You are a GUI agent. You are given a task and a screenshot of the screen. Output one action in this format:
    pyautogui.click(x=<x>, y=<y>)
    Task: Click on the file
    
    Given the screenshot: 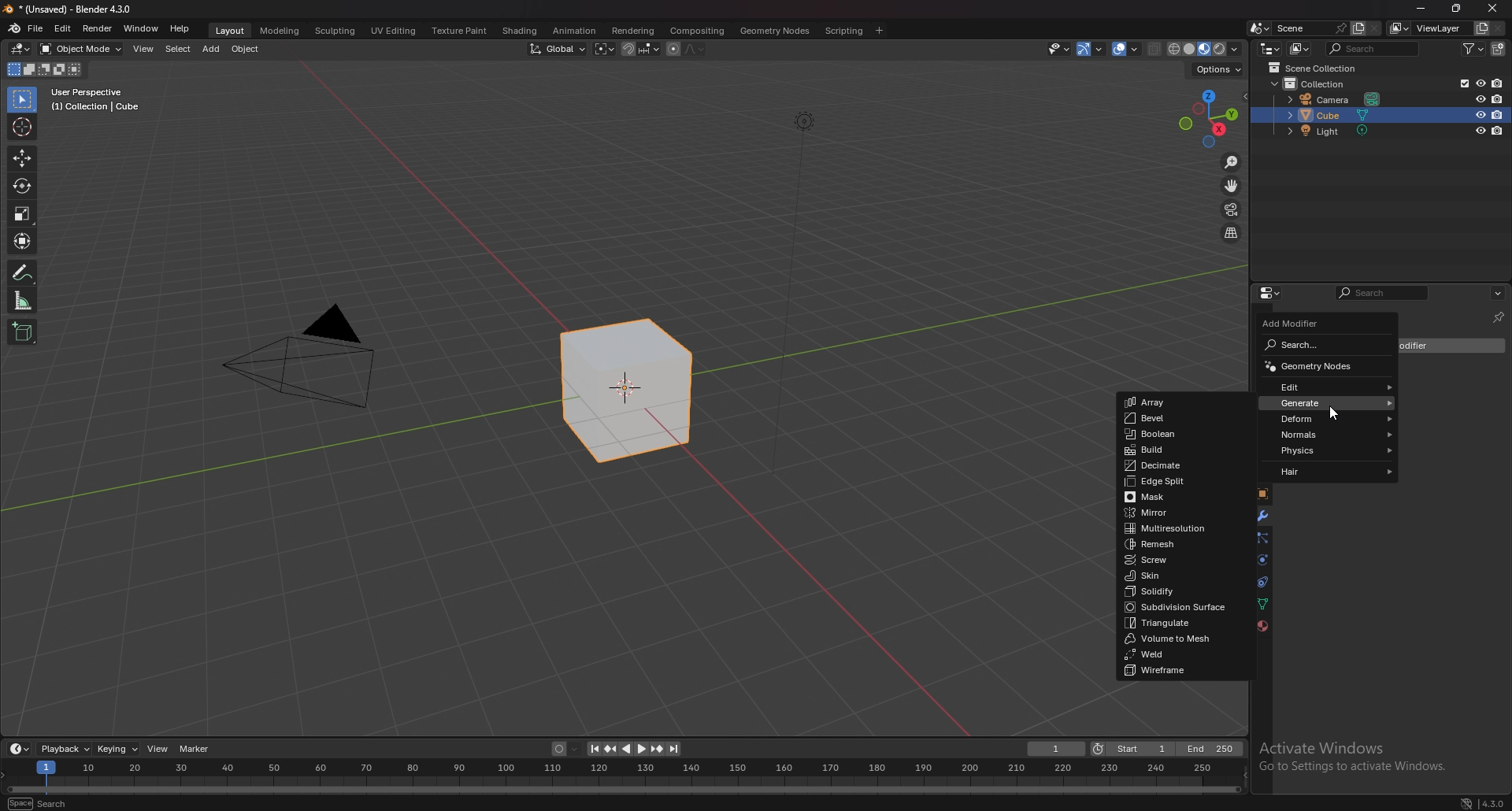 What is the action you would take?
    pyautogui.click(x=35, y=29)
    